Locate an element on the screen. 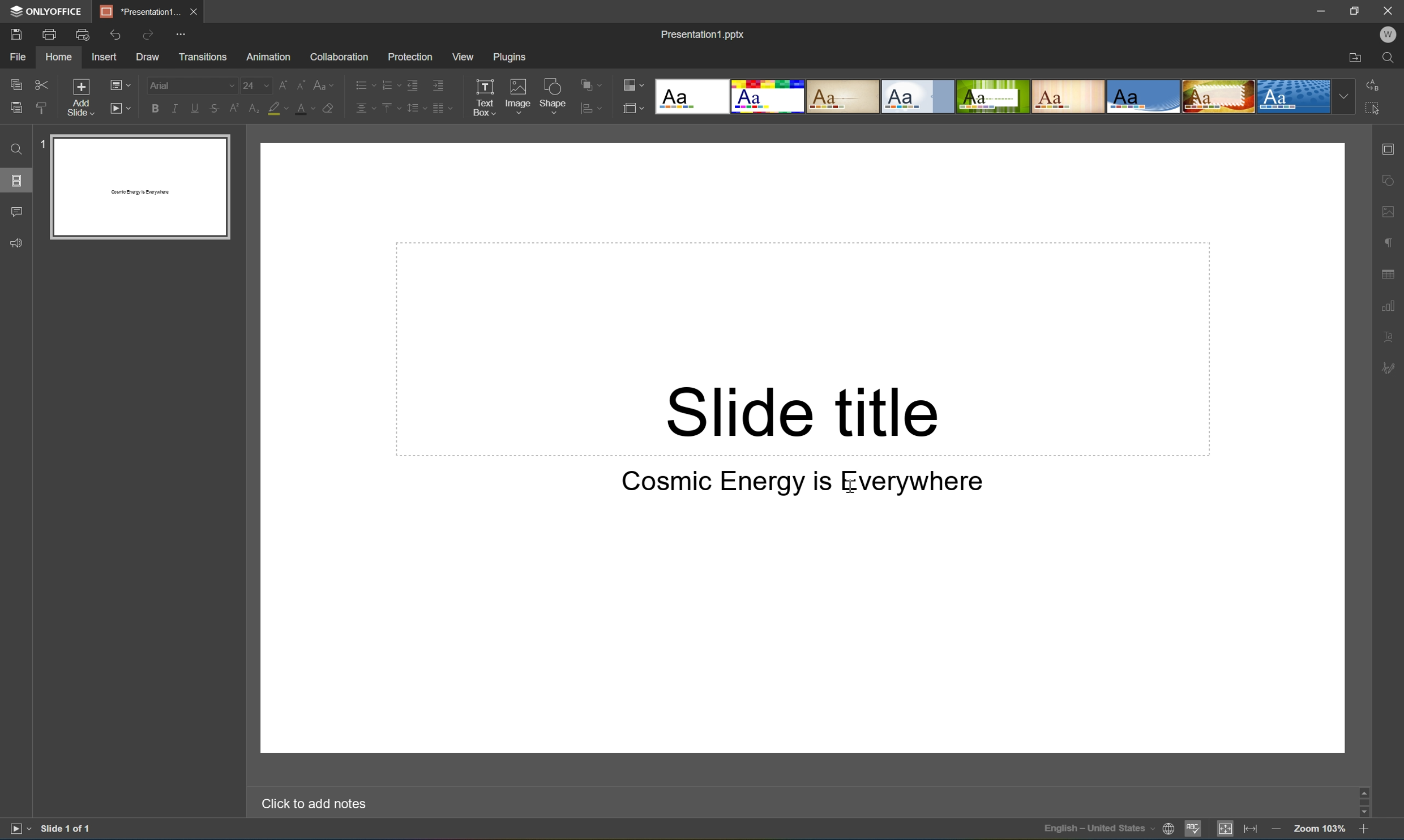 The width and height of the screenshot is (1404, 840). Slide settings is located at coordinates (1390, 145).